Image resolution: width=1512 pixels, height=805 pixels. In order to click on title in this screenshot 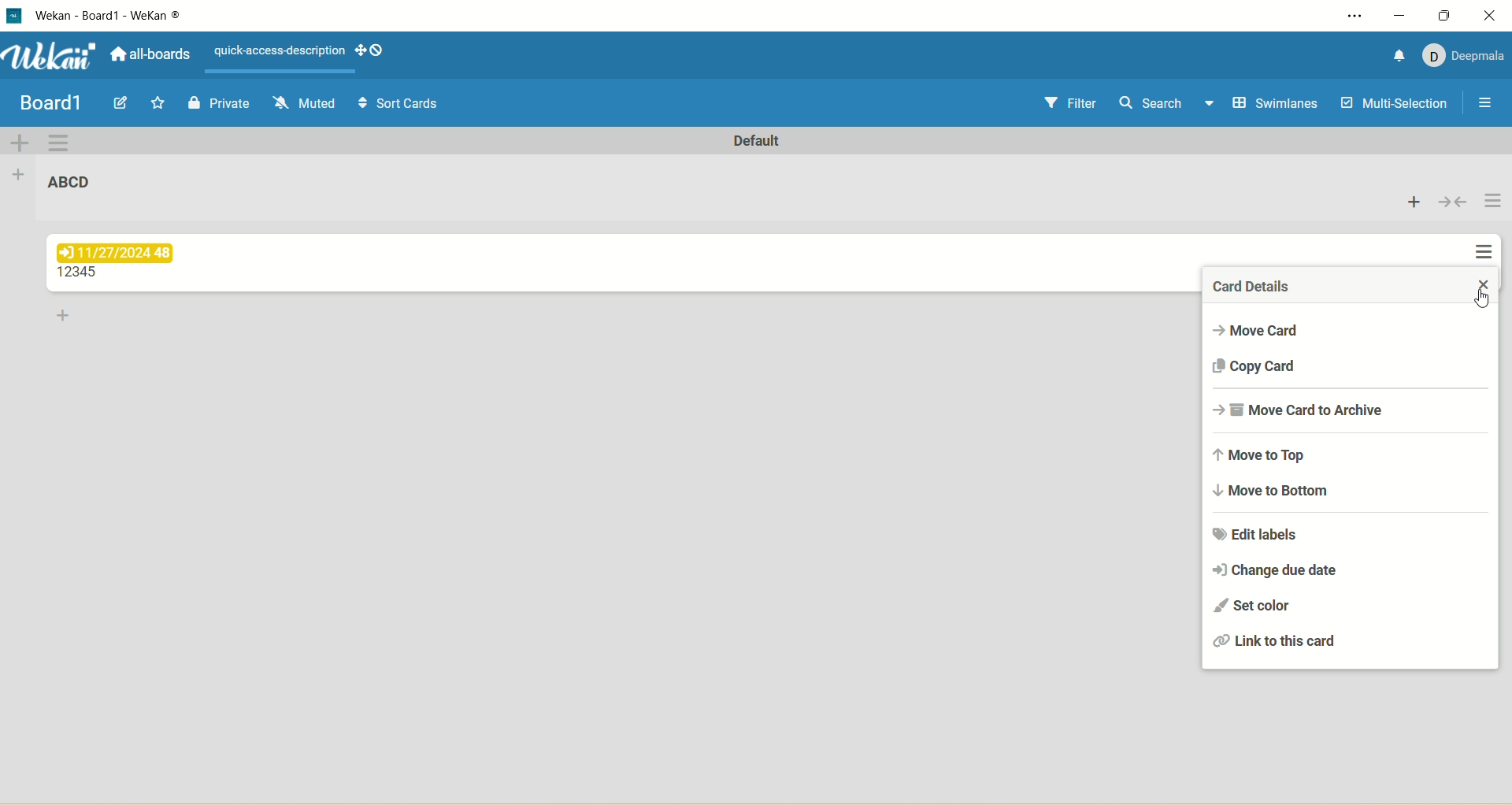, I will do `click(110, 20)`.